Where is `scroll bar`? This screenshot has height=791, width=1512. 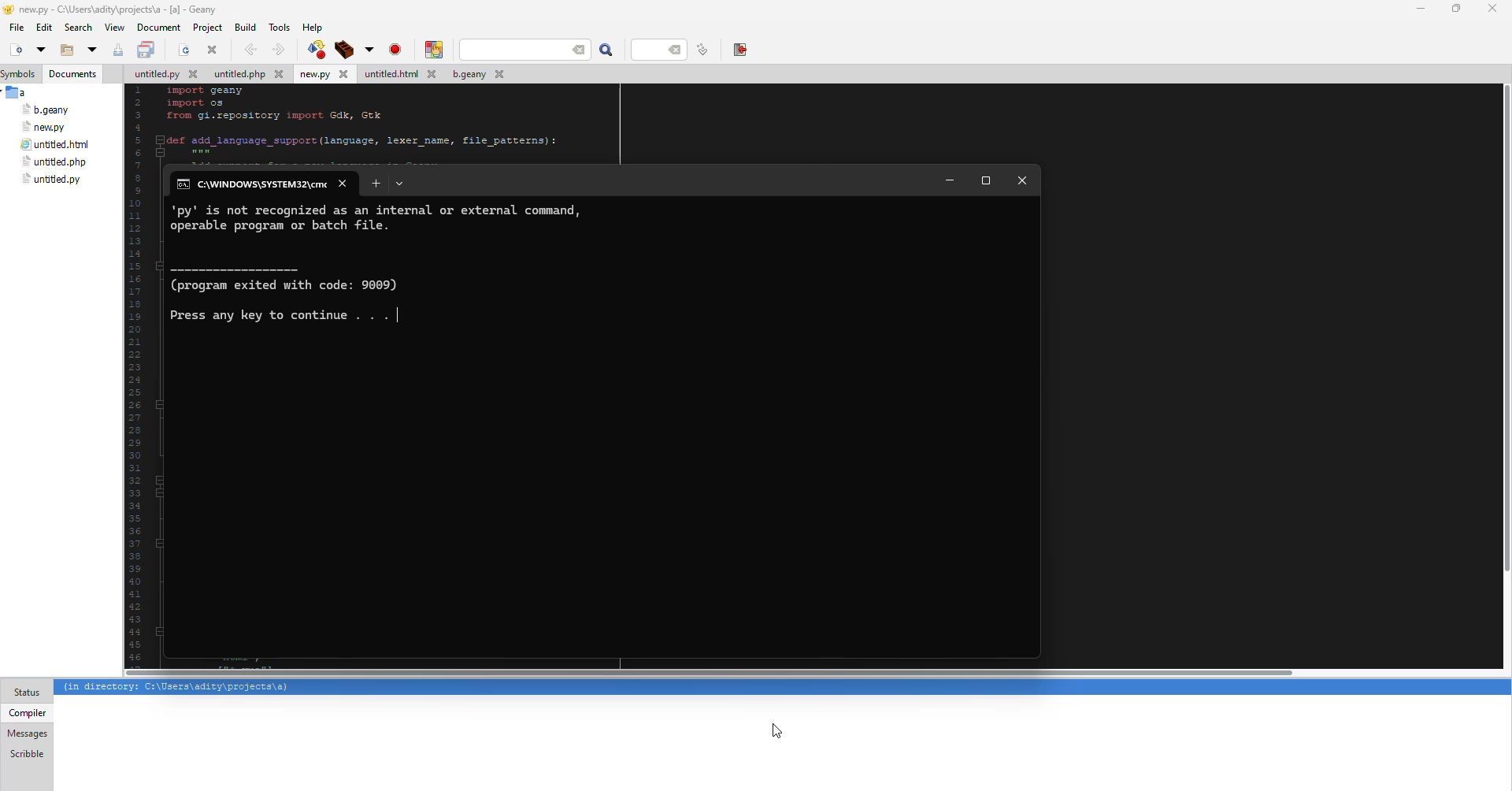
scroll bar is located at coordinates (697, 670).